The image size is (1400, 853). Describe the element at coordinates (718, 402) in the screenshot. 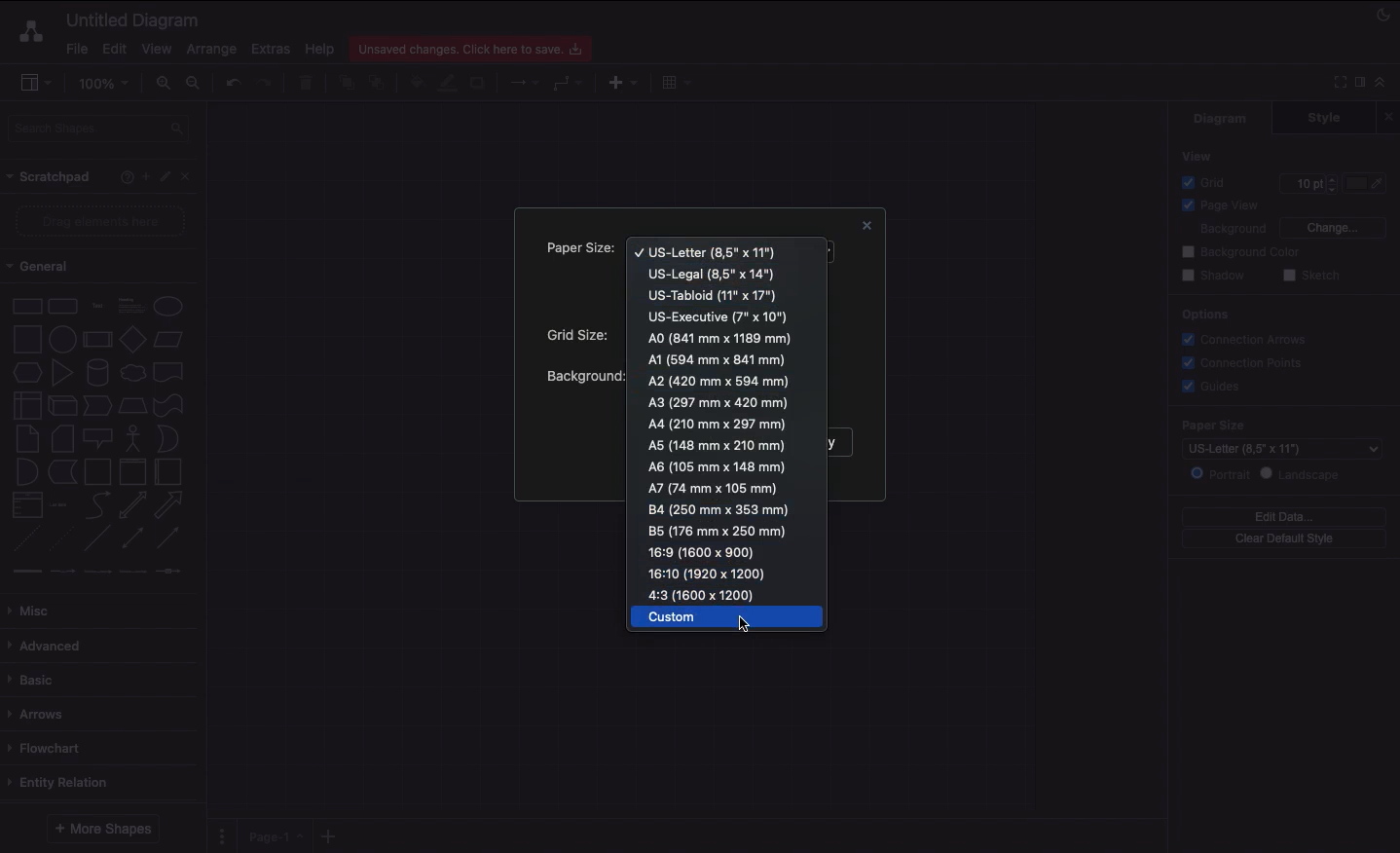

I see `A3` at that location.